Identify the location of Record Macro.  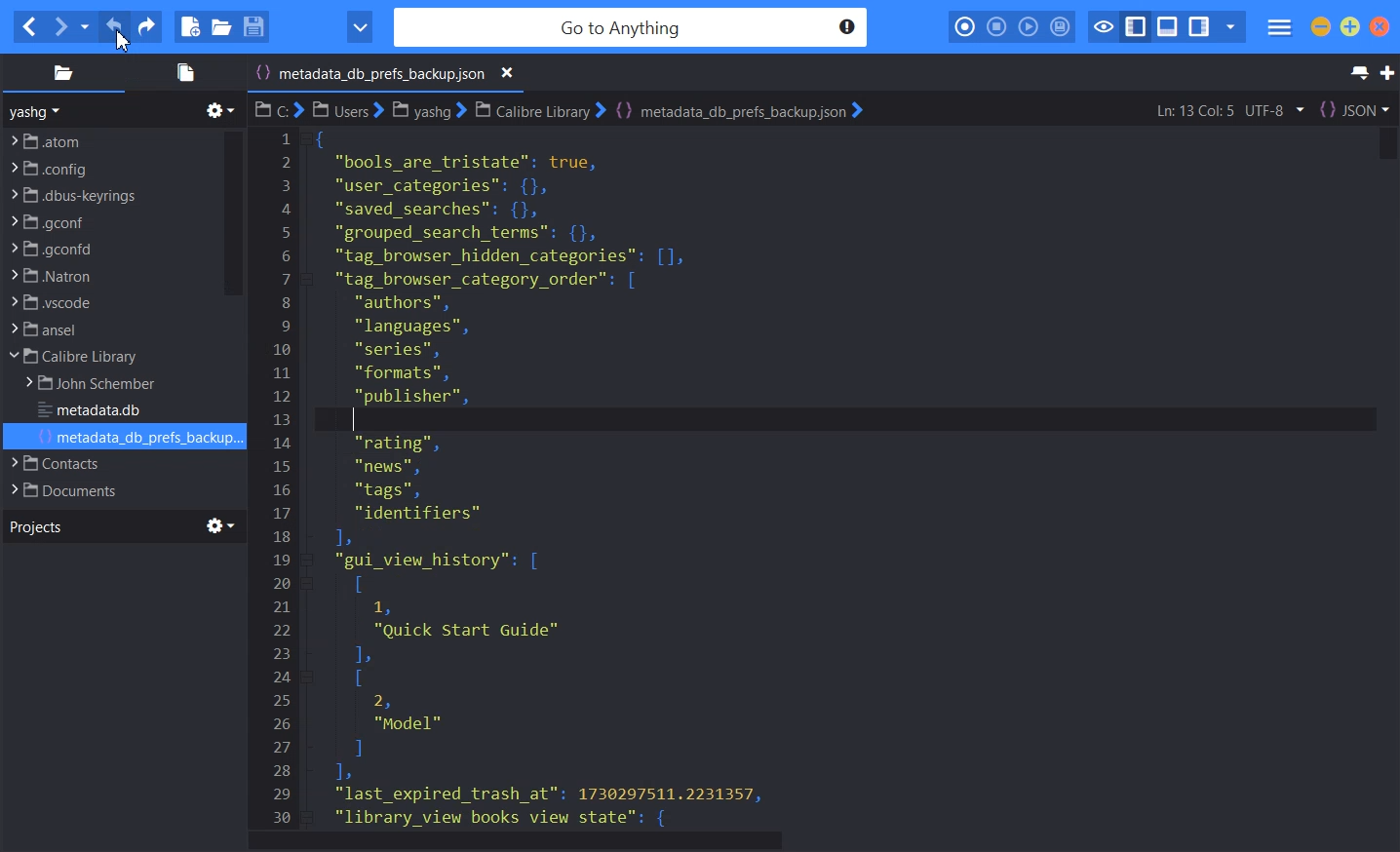
(966, 27).